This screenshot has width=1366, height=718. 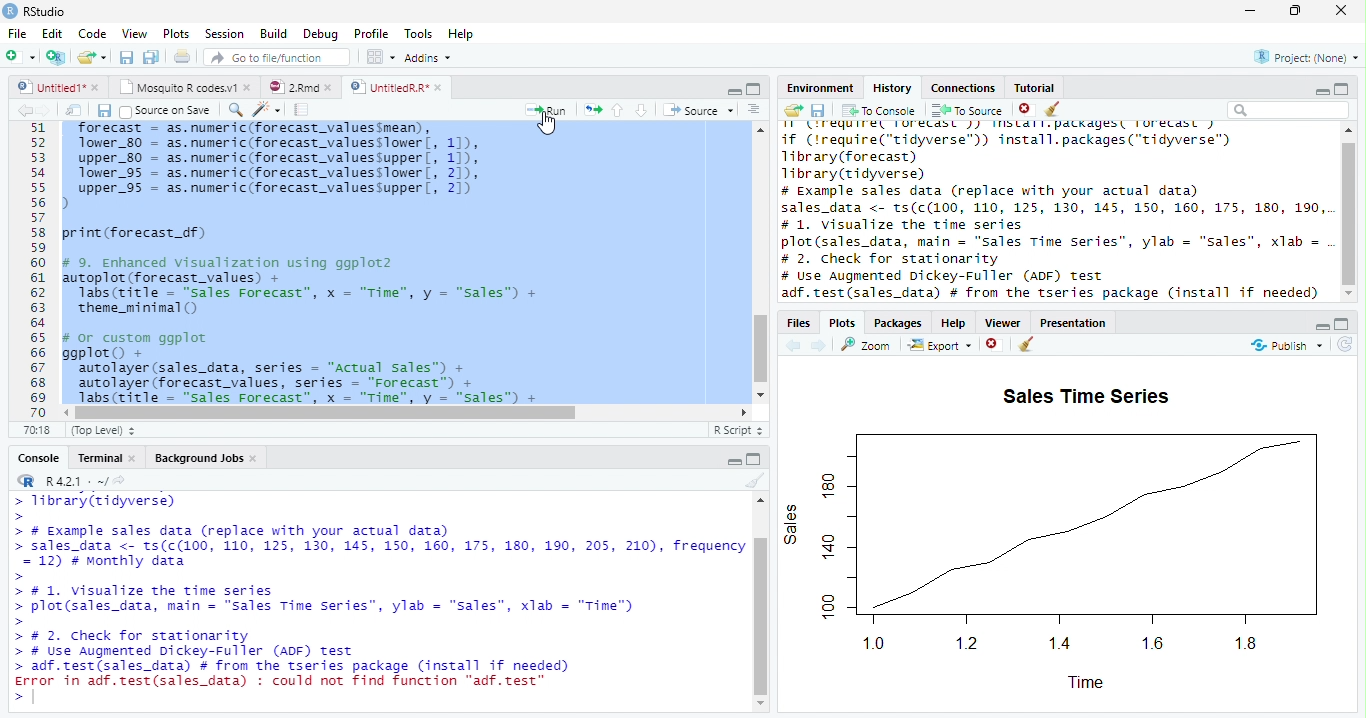 What do you see at coordinates (39, 12) in the screenshot?
I see `RStudio` at bounding box center [39, 12].